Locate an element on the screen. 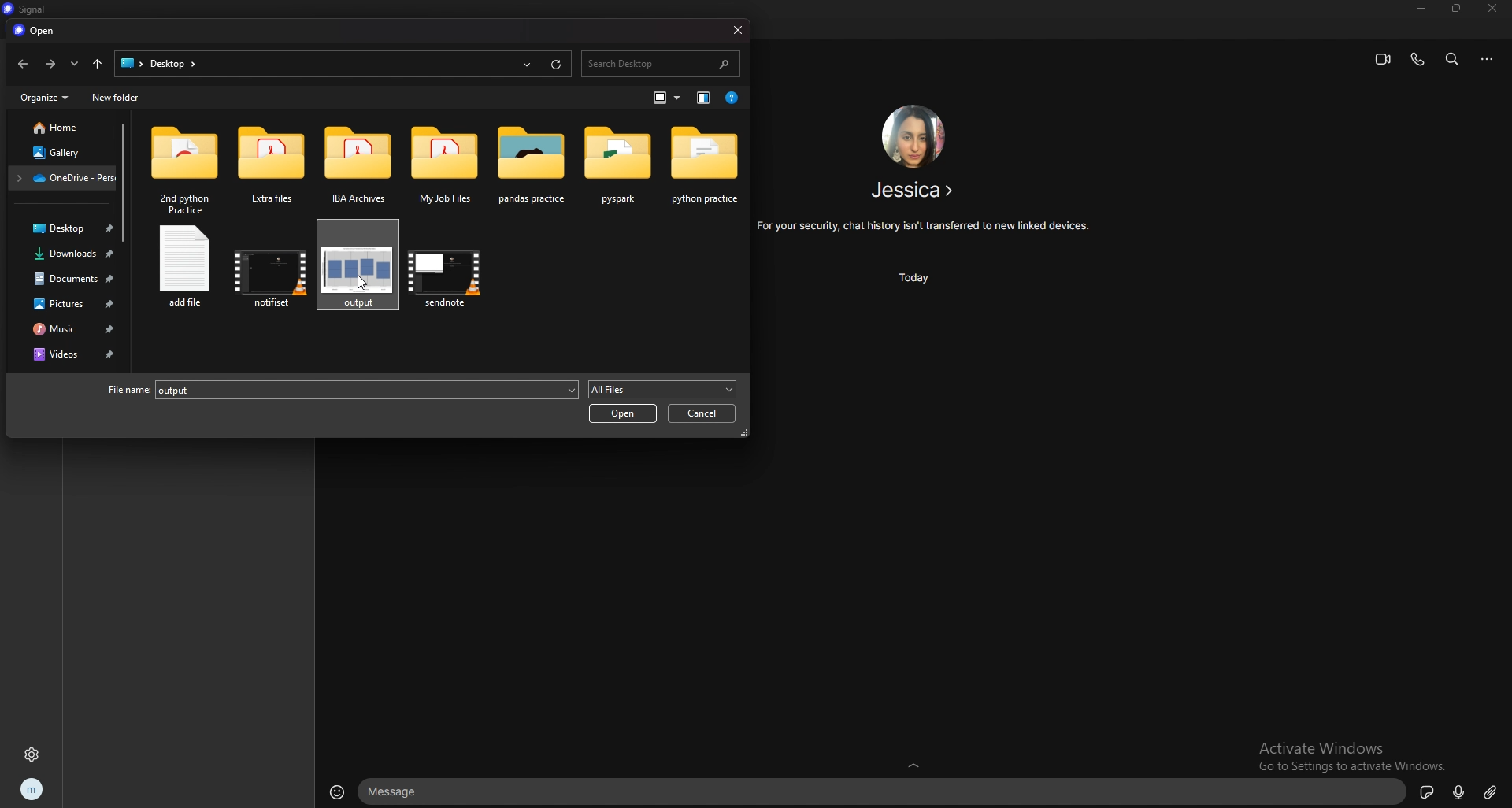  folder is located at coordinates (63, 178).